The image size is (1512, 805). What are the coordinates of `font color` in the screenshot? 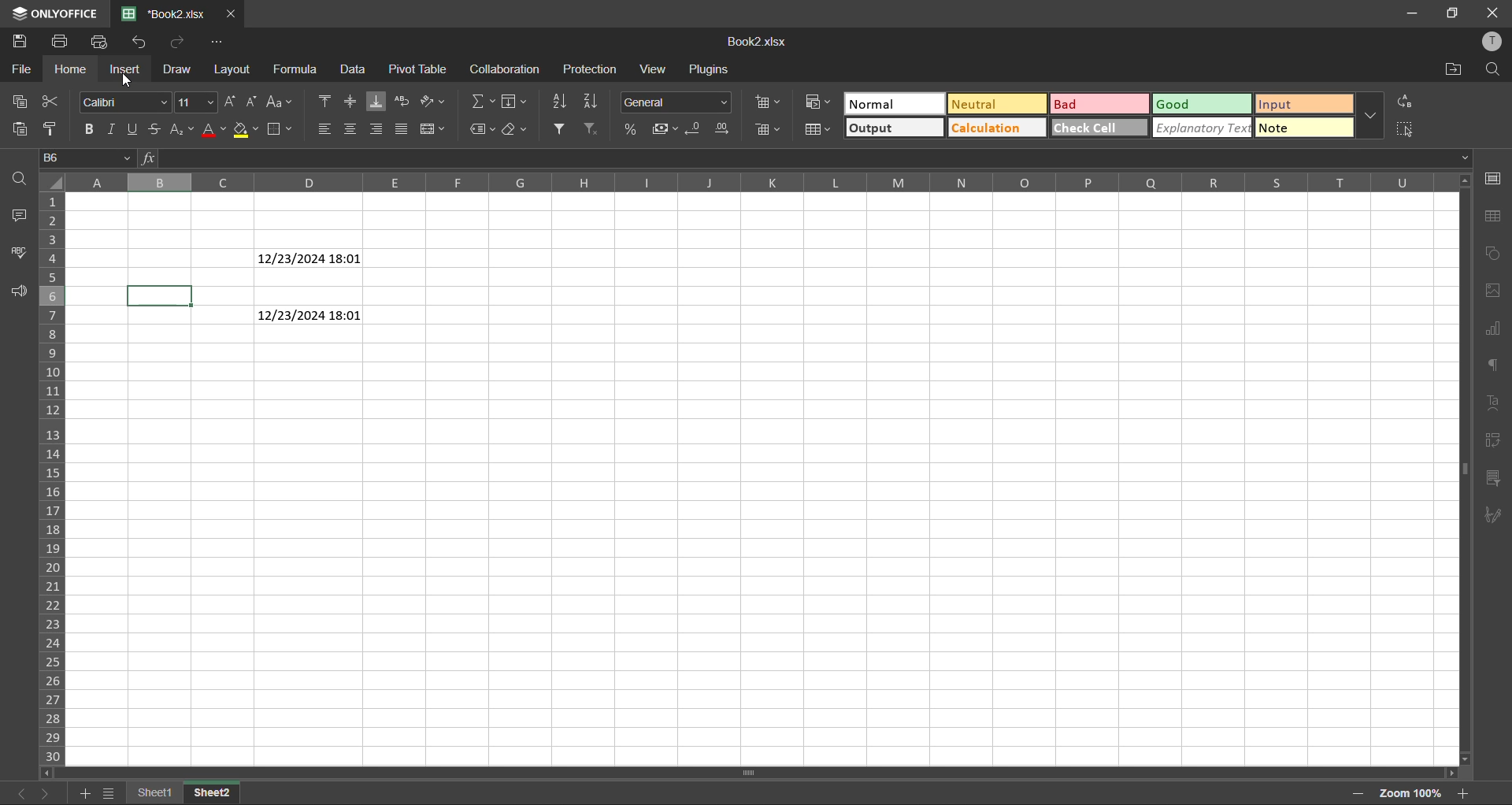 It's located at (214, 131).